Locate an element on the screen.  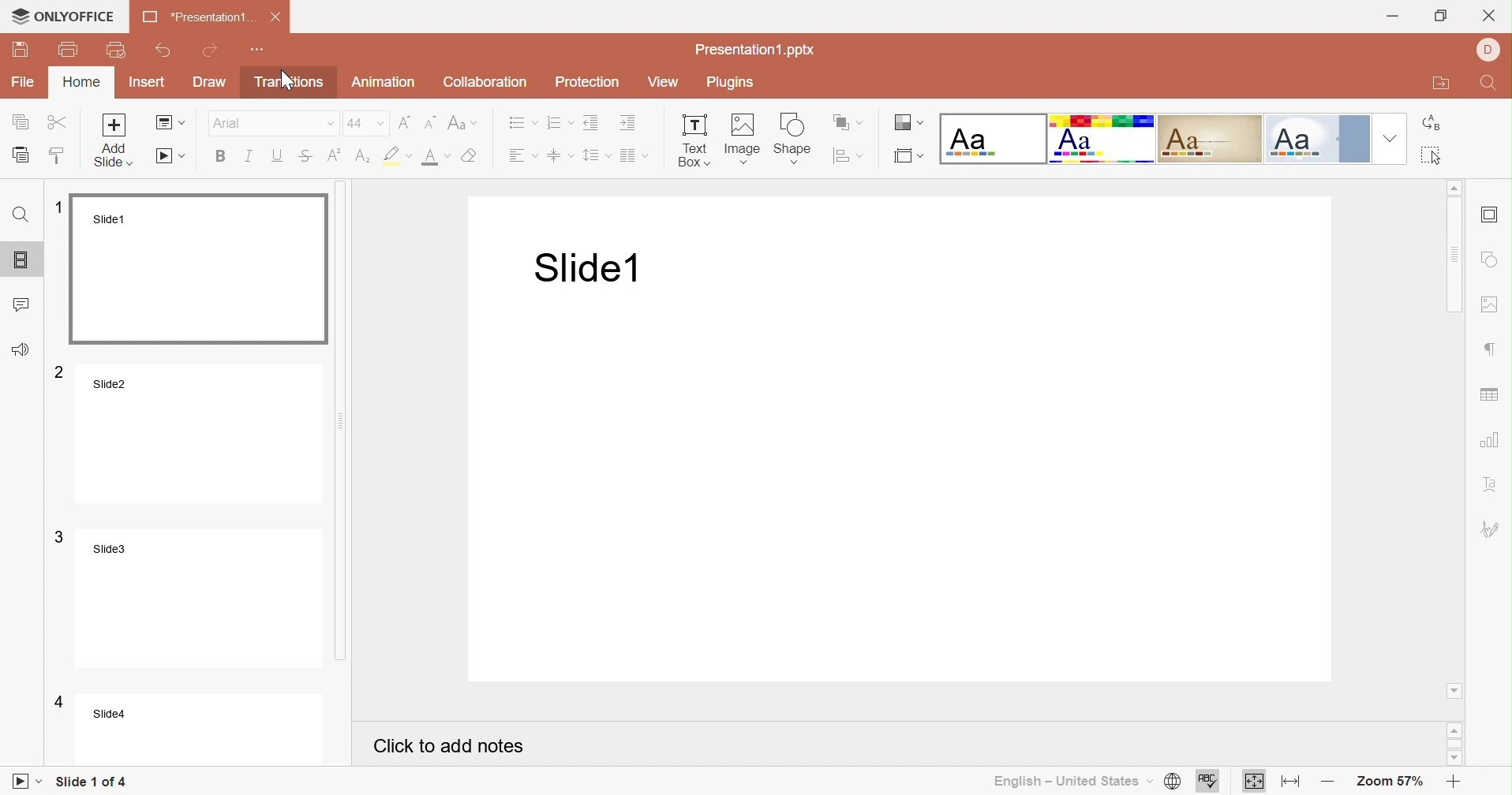
Vertical align is located at coordinates (559, 158).